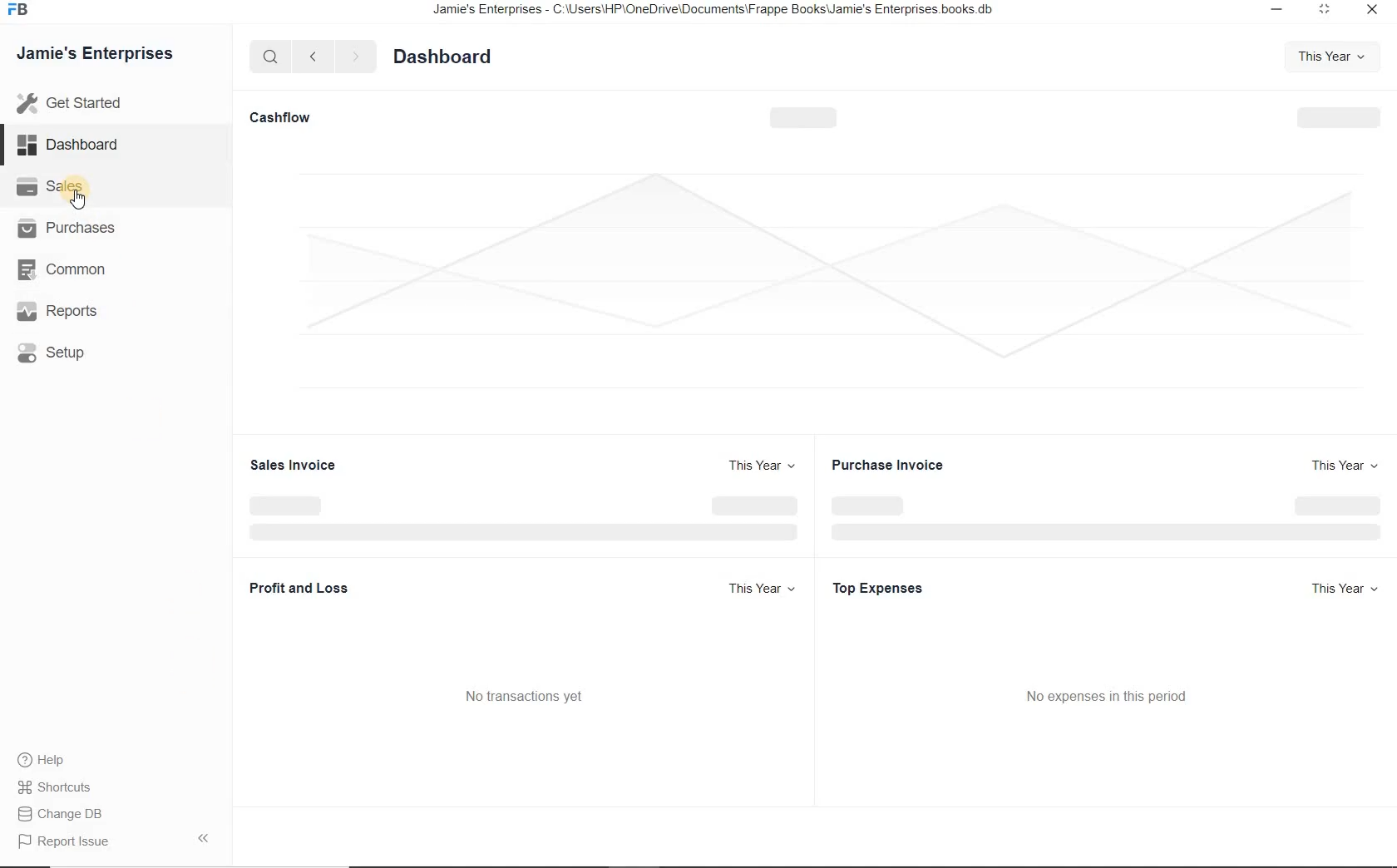 This screenshot has height=868, width=1397. I want to click on Cashflow, so click(276, 118).